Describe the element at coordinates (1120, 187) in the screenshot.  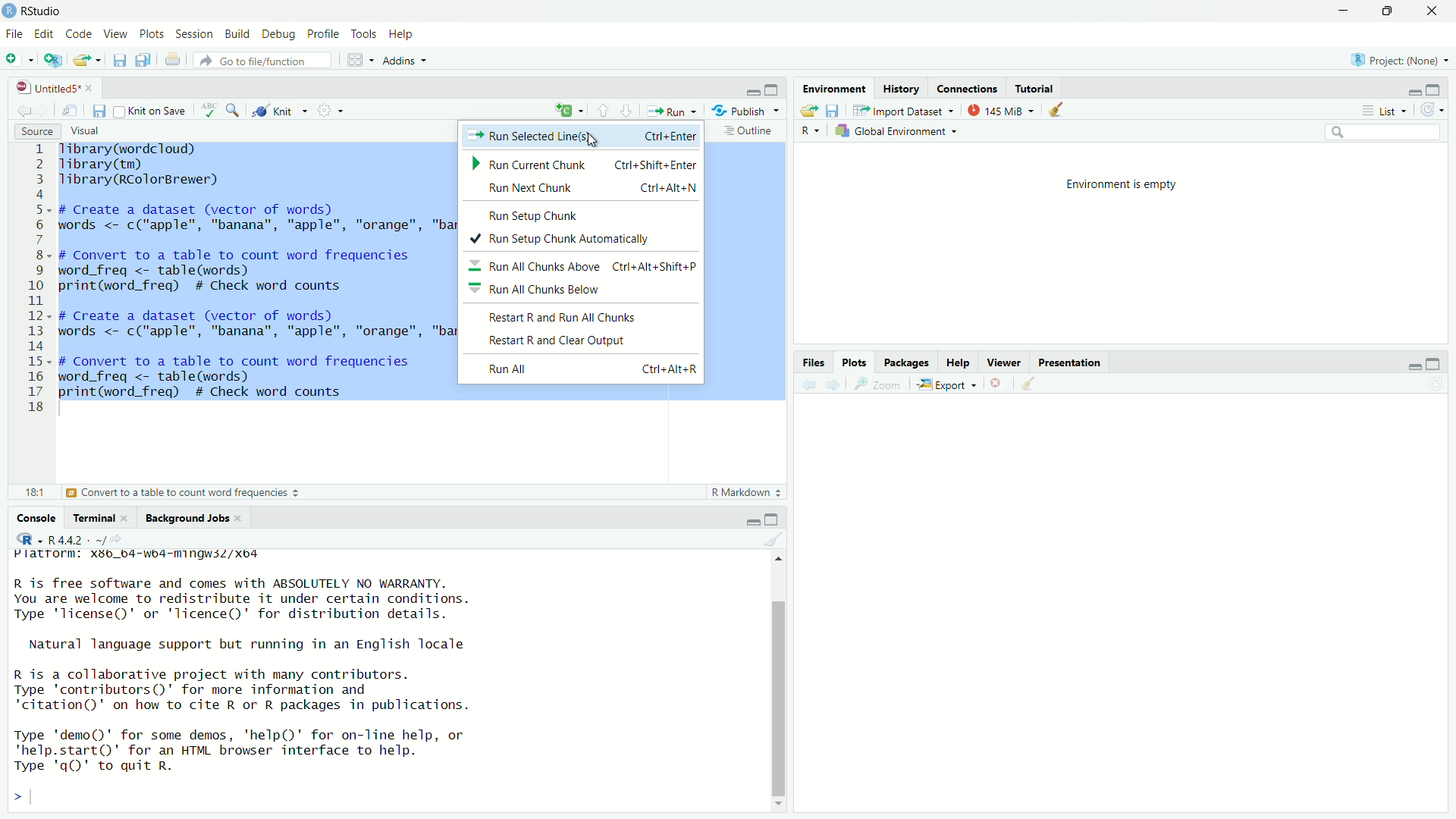
I see `Environment is empty` at that location.